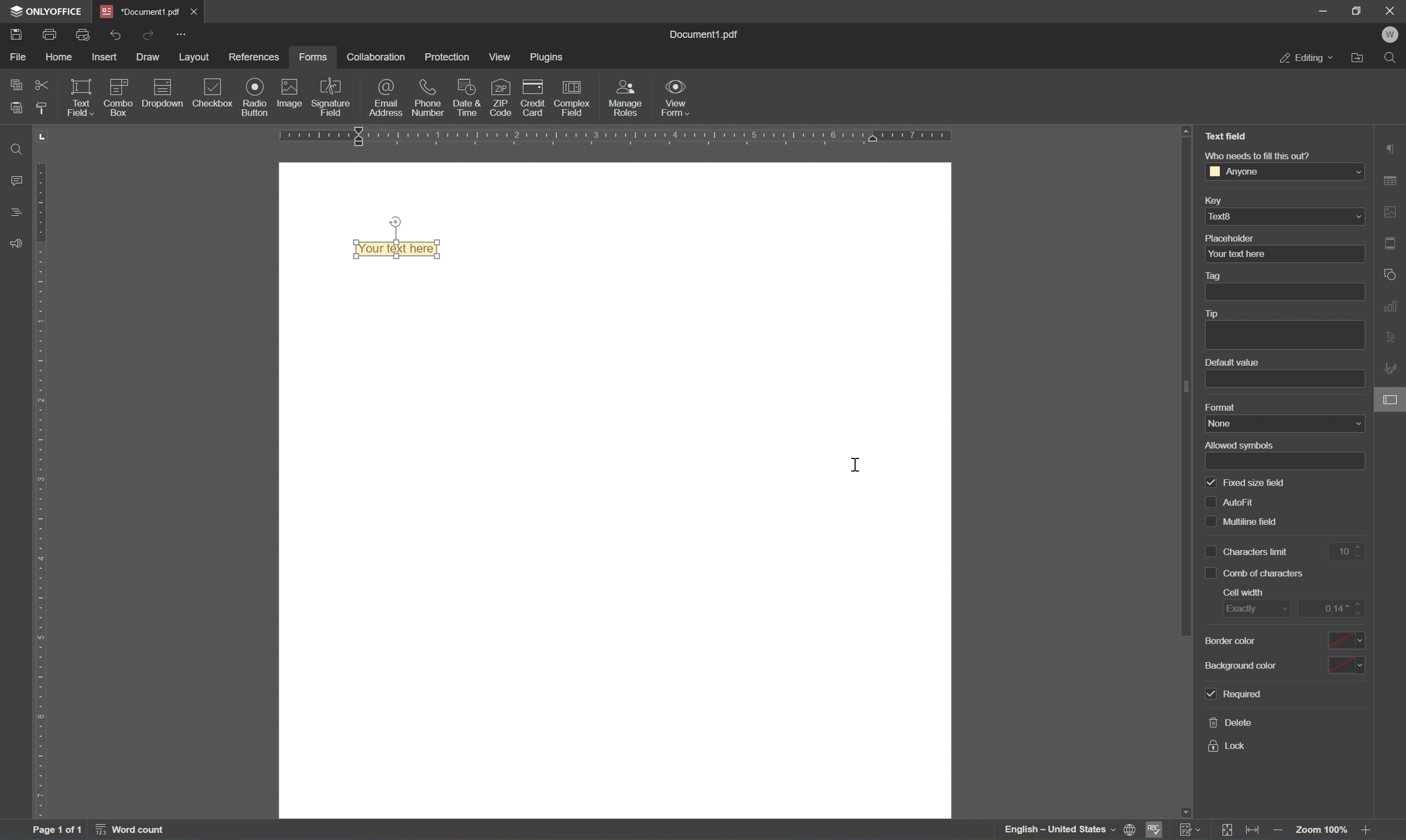 Image resolution: width=1406 pixels, height=840 pixels. What do you see at coordinates (147, 58) in the screenshot?
I see `draw` at bounding box center [147, 58].